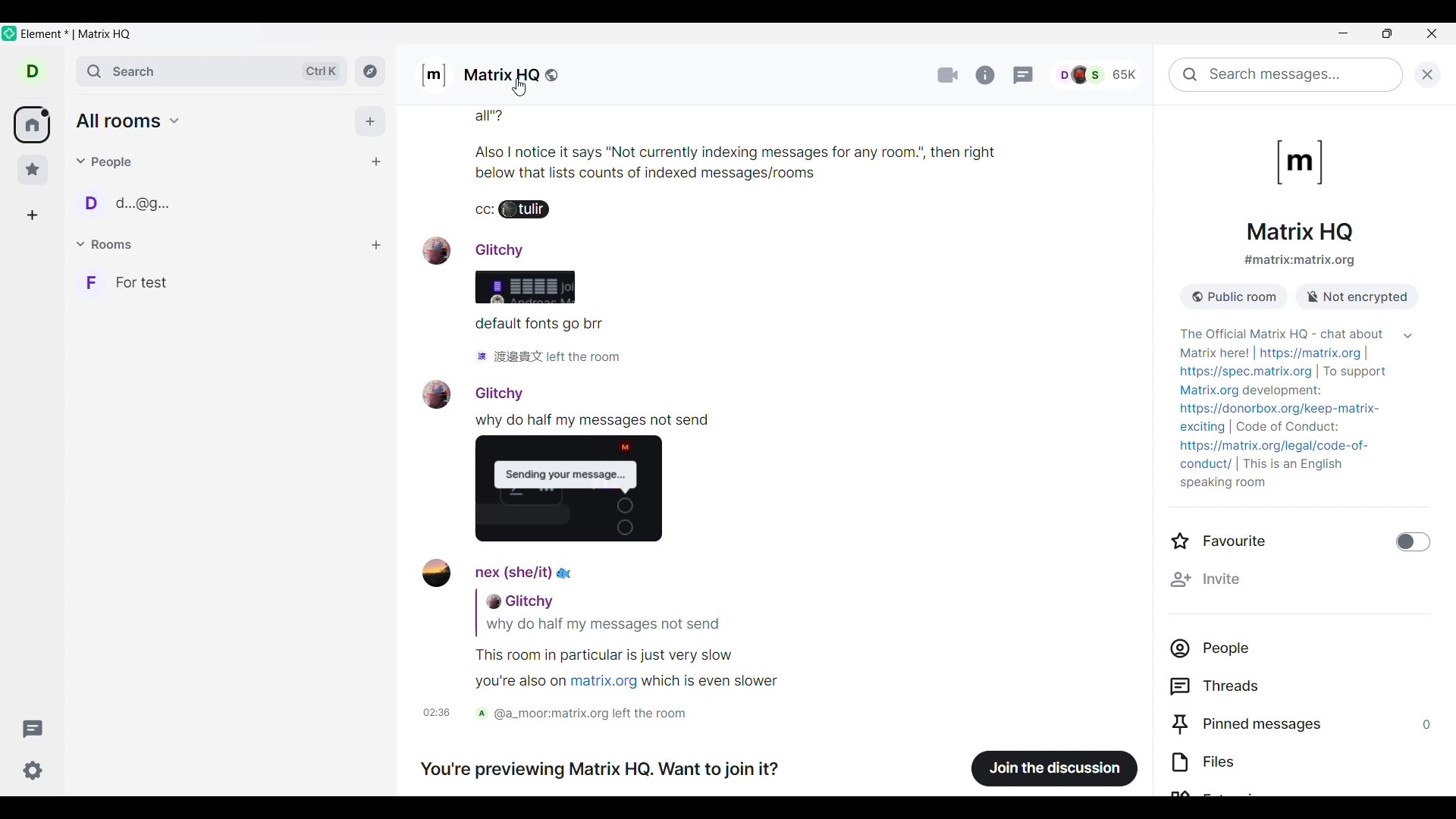  I want to click on Pinned messages, so click(1306, 724).